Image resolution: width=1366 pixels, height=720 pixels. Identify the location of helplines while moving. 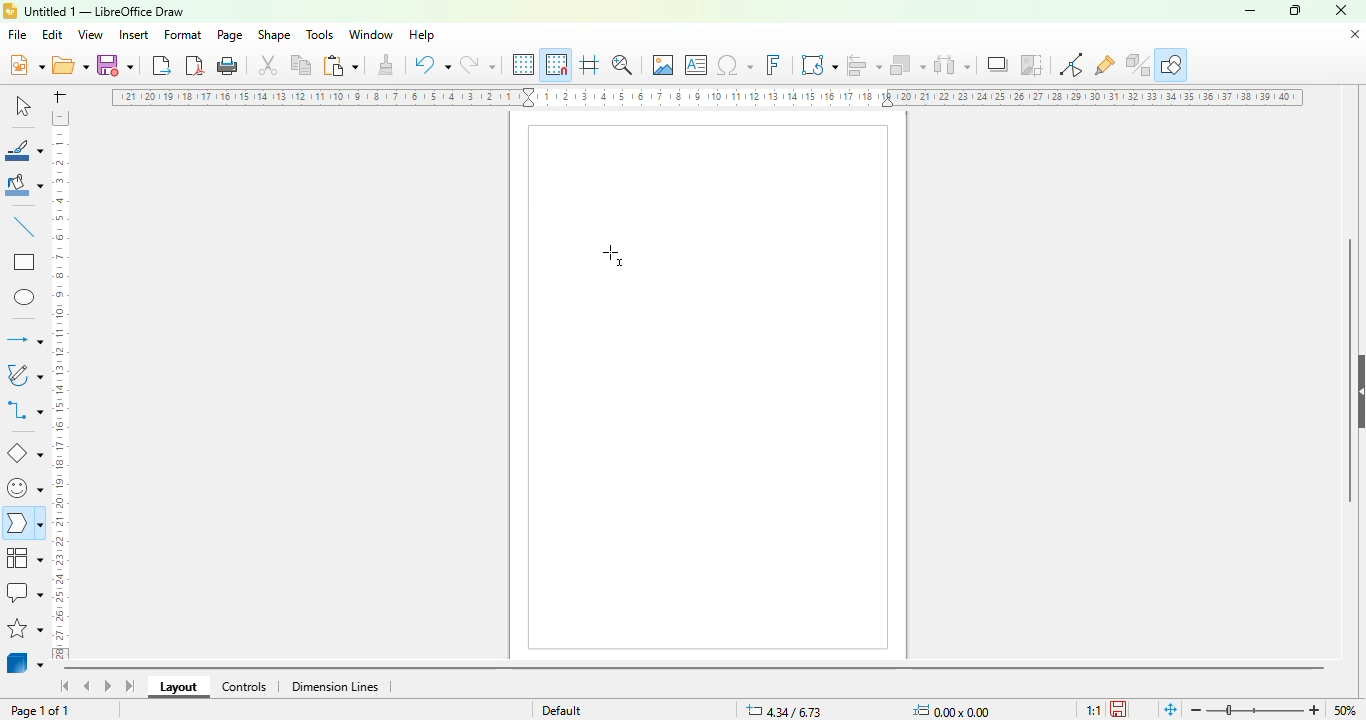
(590, 64).